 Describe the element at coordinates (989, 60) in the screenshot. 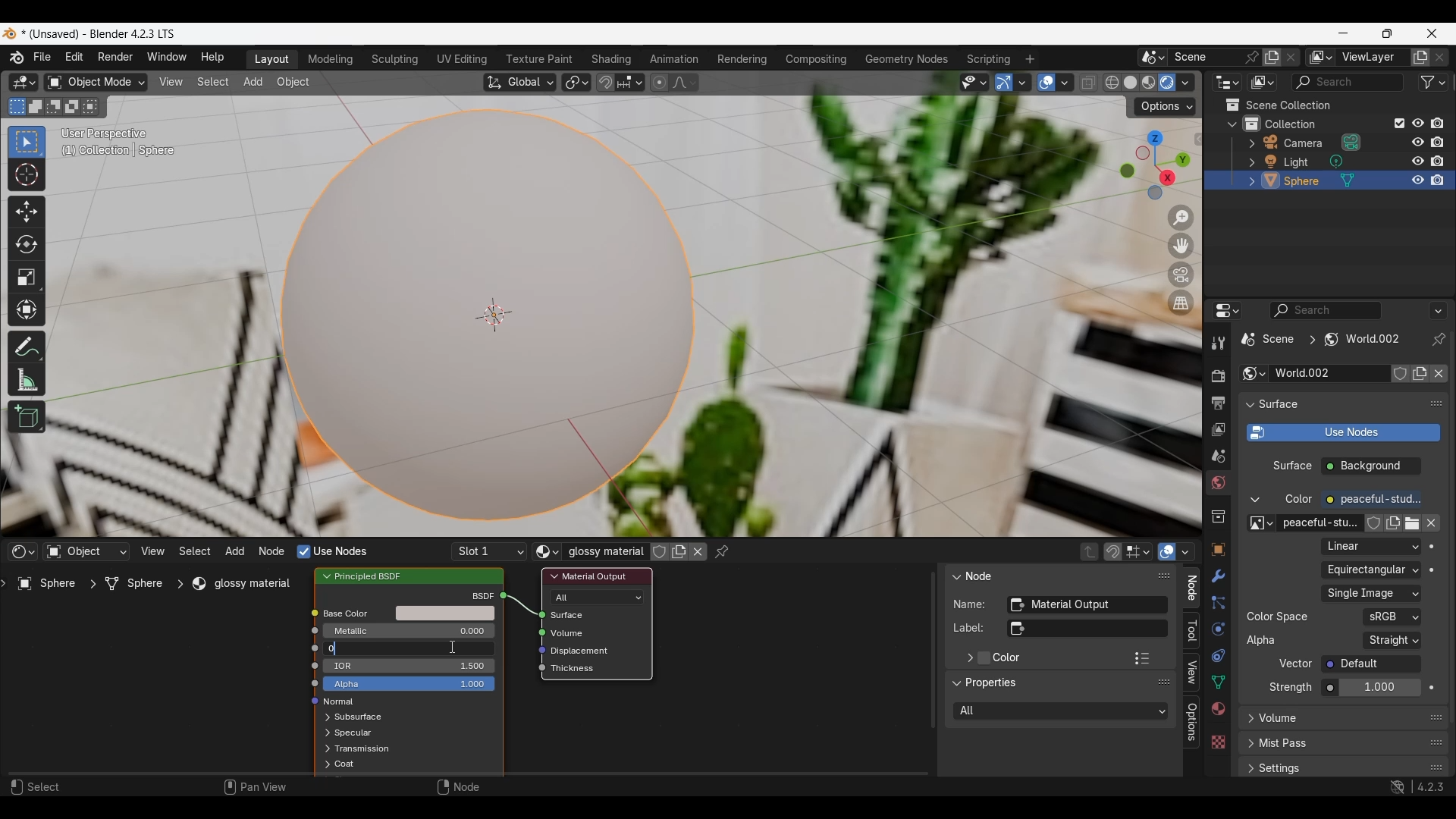

I see `Scripting workspace` at that location.